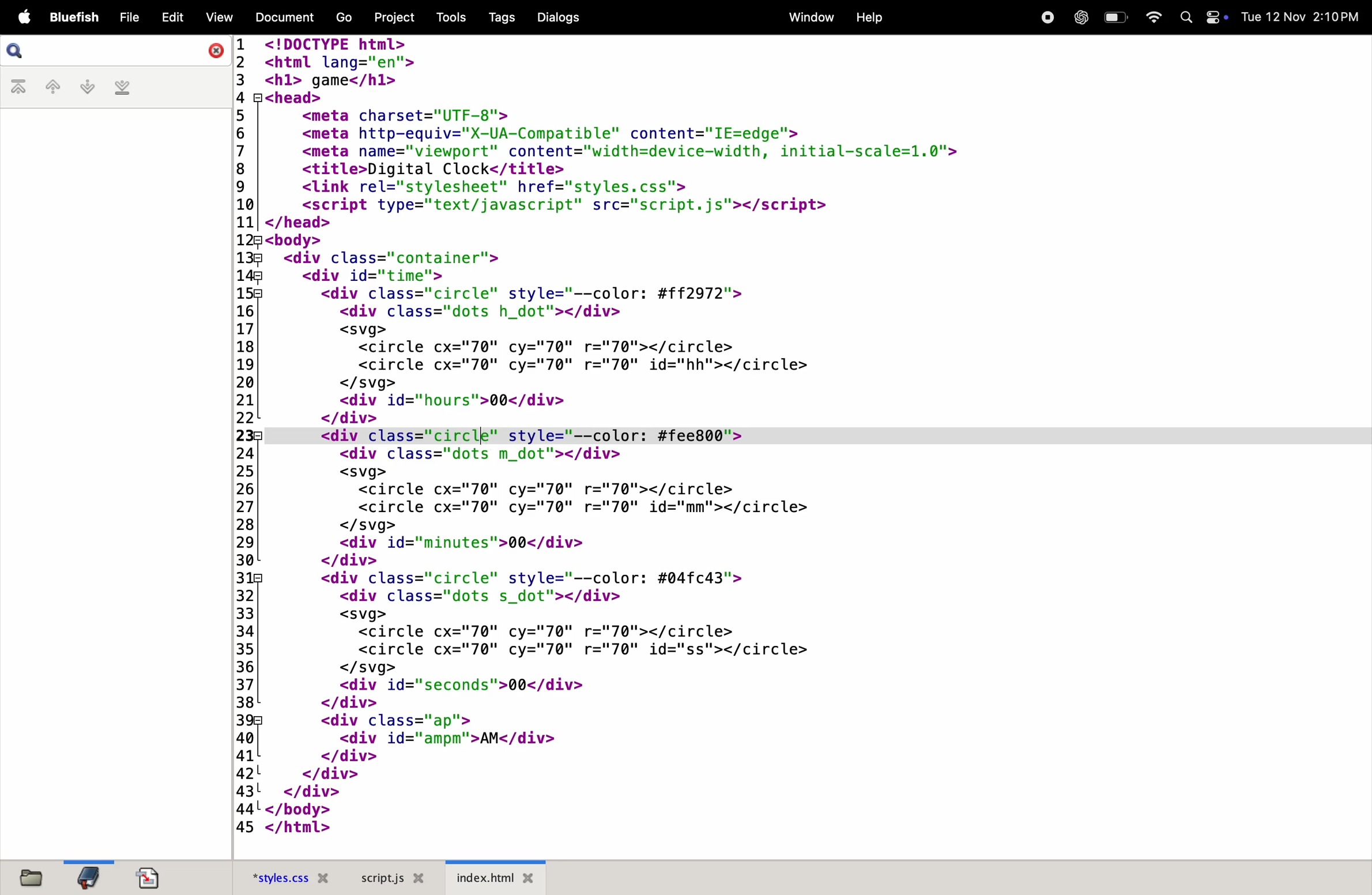 The image size is (1372, 895). Describe the element at coordinates (1155, 18) in the screenshot. I see `wifi` at that location.